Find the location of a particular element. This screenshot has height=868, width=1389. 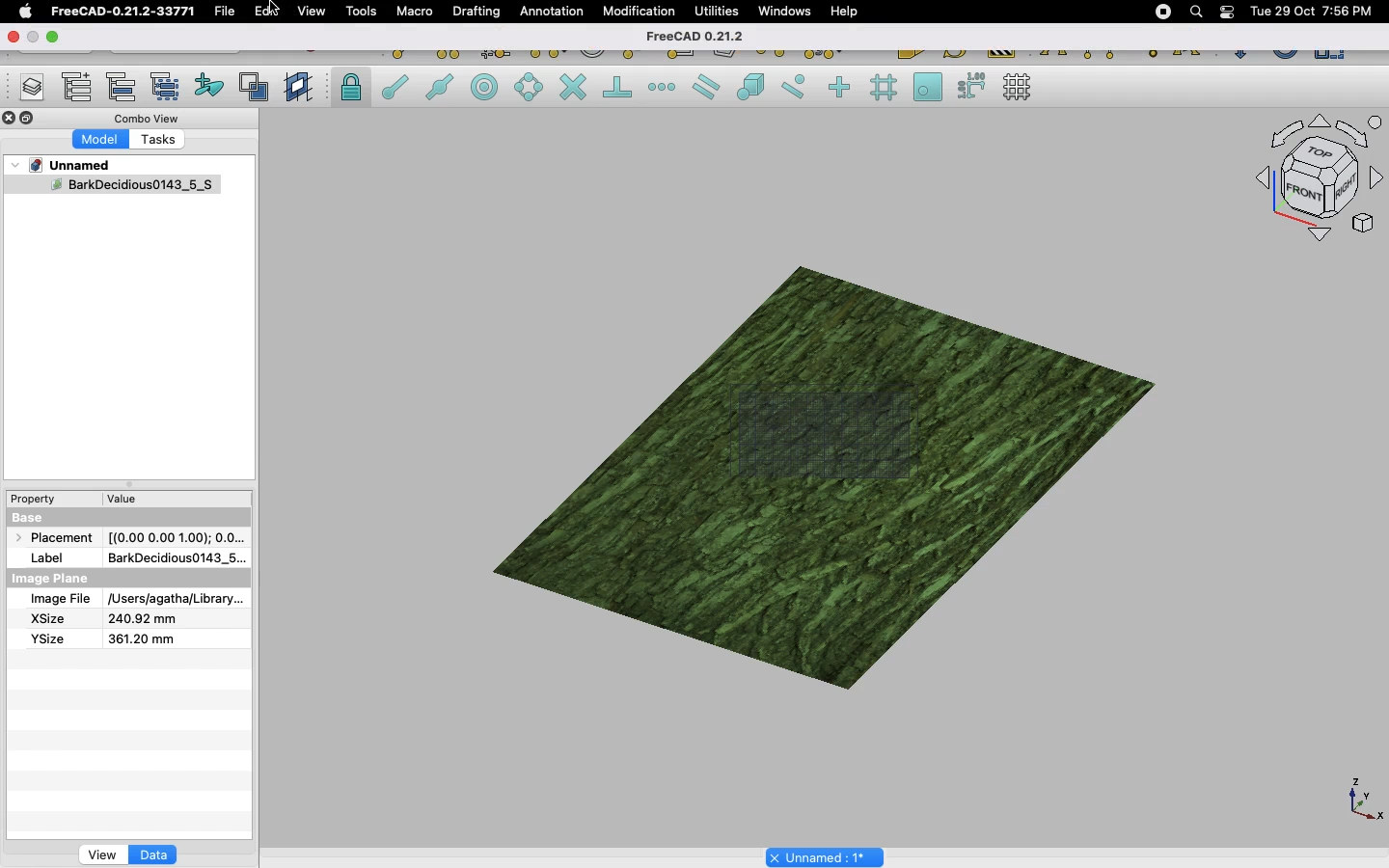

Snap ortho is located at coordinates (842, 89).